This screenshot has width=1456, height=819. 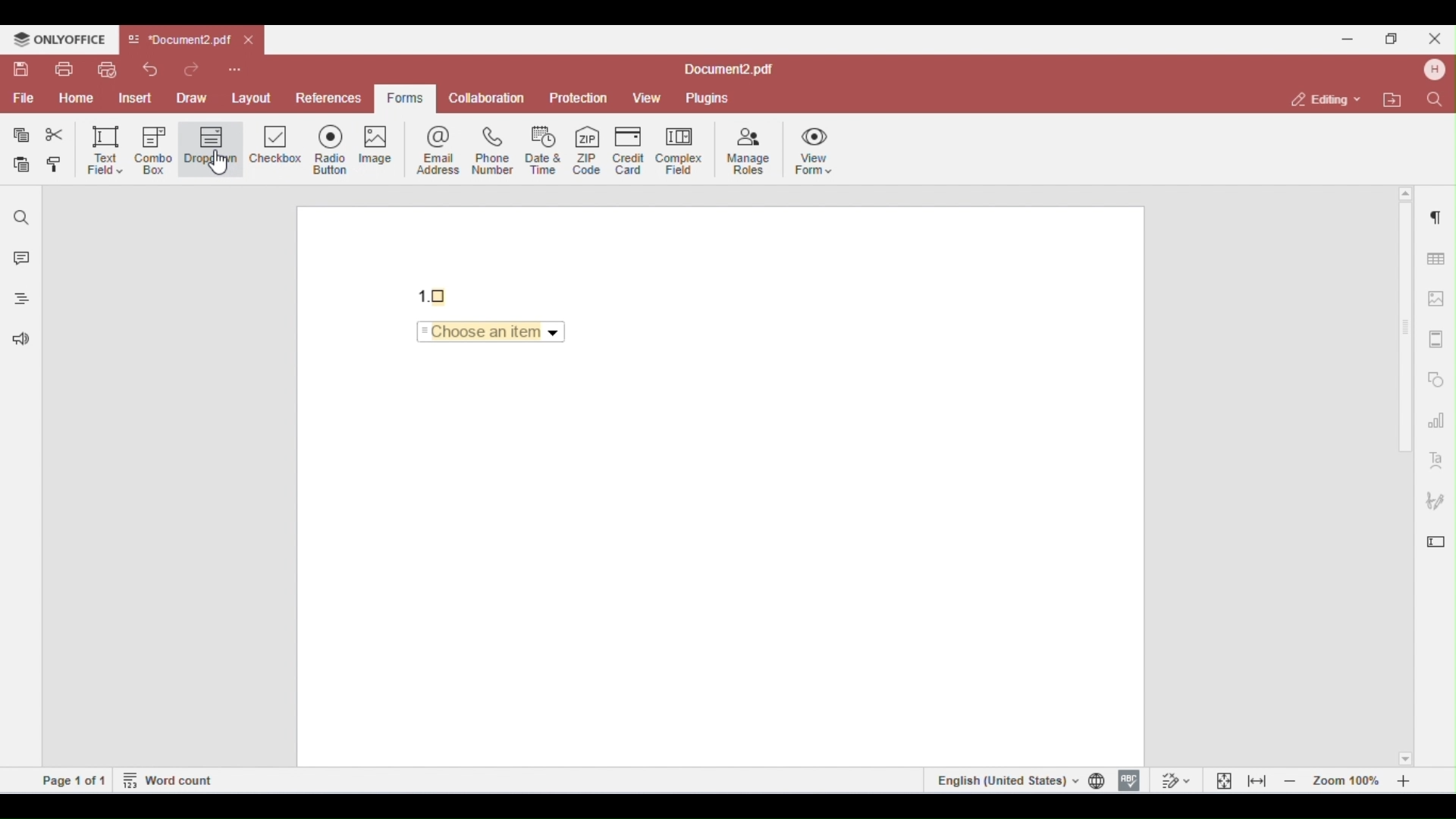 What do you see at coordinates (1437, 299) in the screenshot?
I see `image settings` at bounding box center [1437, 299].